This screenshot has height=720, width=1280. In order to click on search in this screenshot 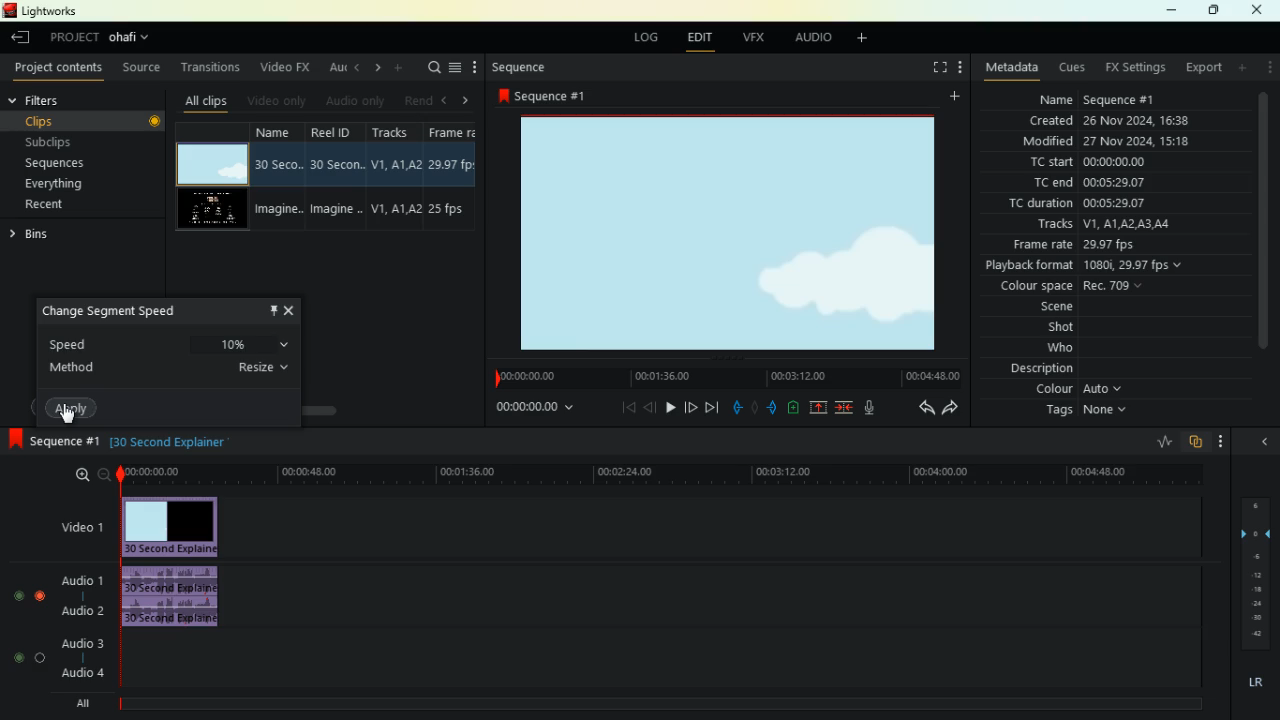, I will do `click(431, 69)`.